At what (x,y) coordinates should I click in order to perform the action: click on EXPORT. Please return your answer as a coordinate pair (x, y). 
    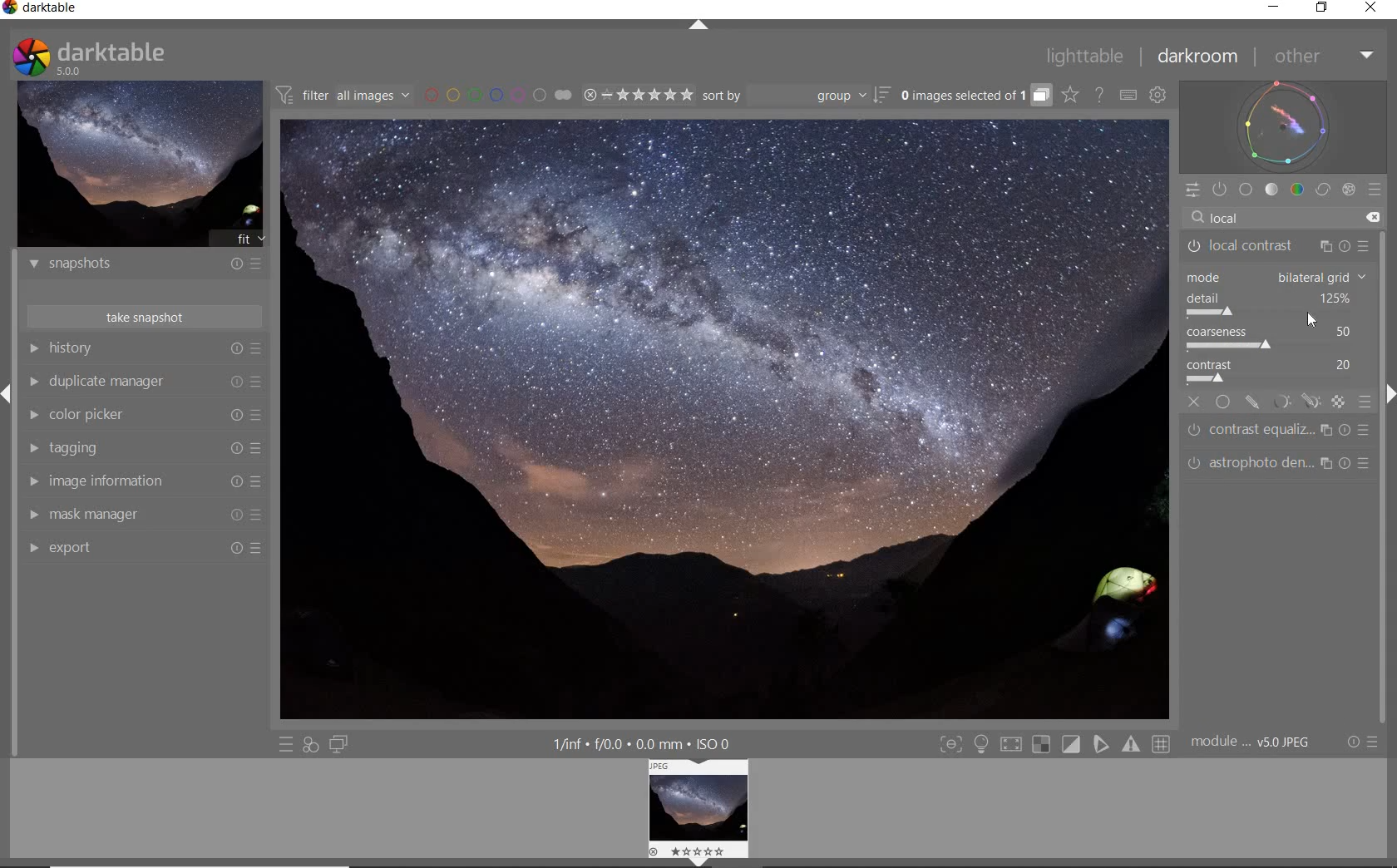
    Looking at the image, I should click on (32, 550).